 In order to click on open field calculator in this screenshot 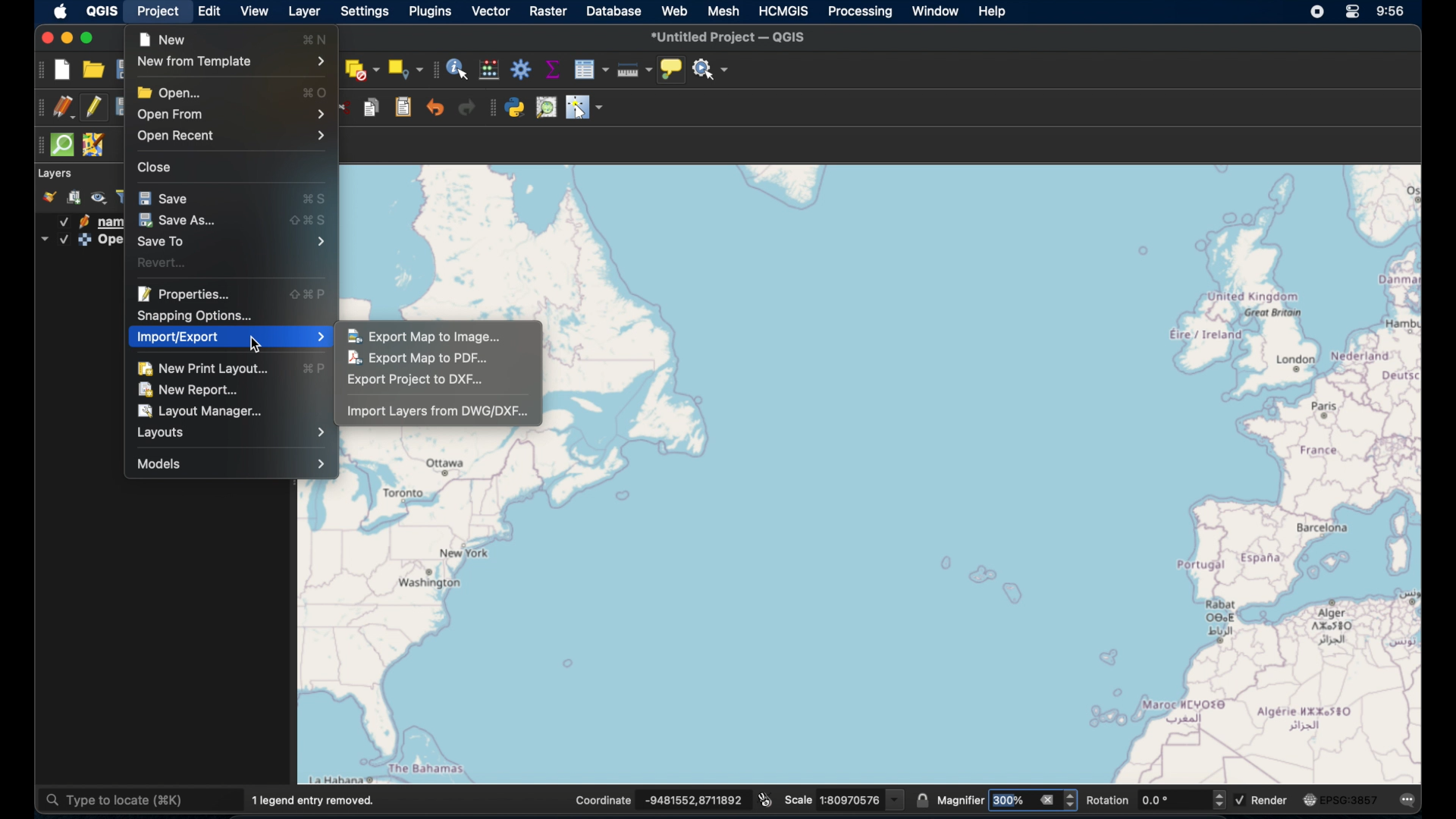, I will do `click(488, 70)`.